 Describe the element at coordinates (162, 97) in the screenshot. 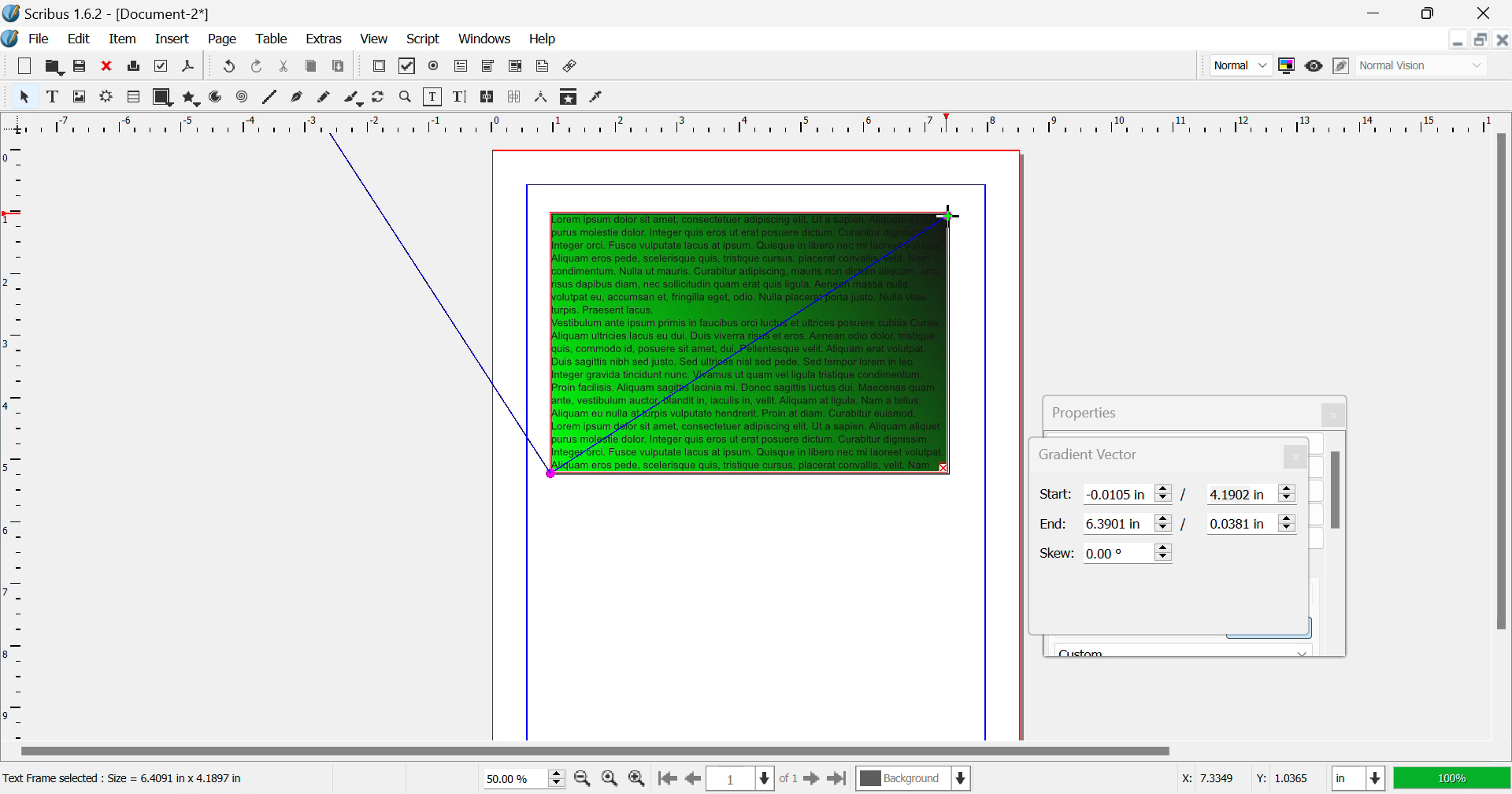

I see `Shapes` at that location.